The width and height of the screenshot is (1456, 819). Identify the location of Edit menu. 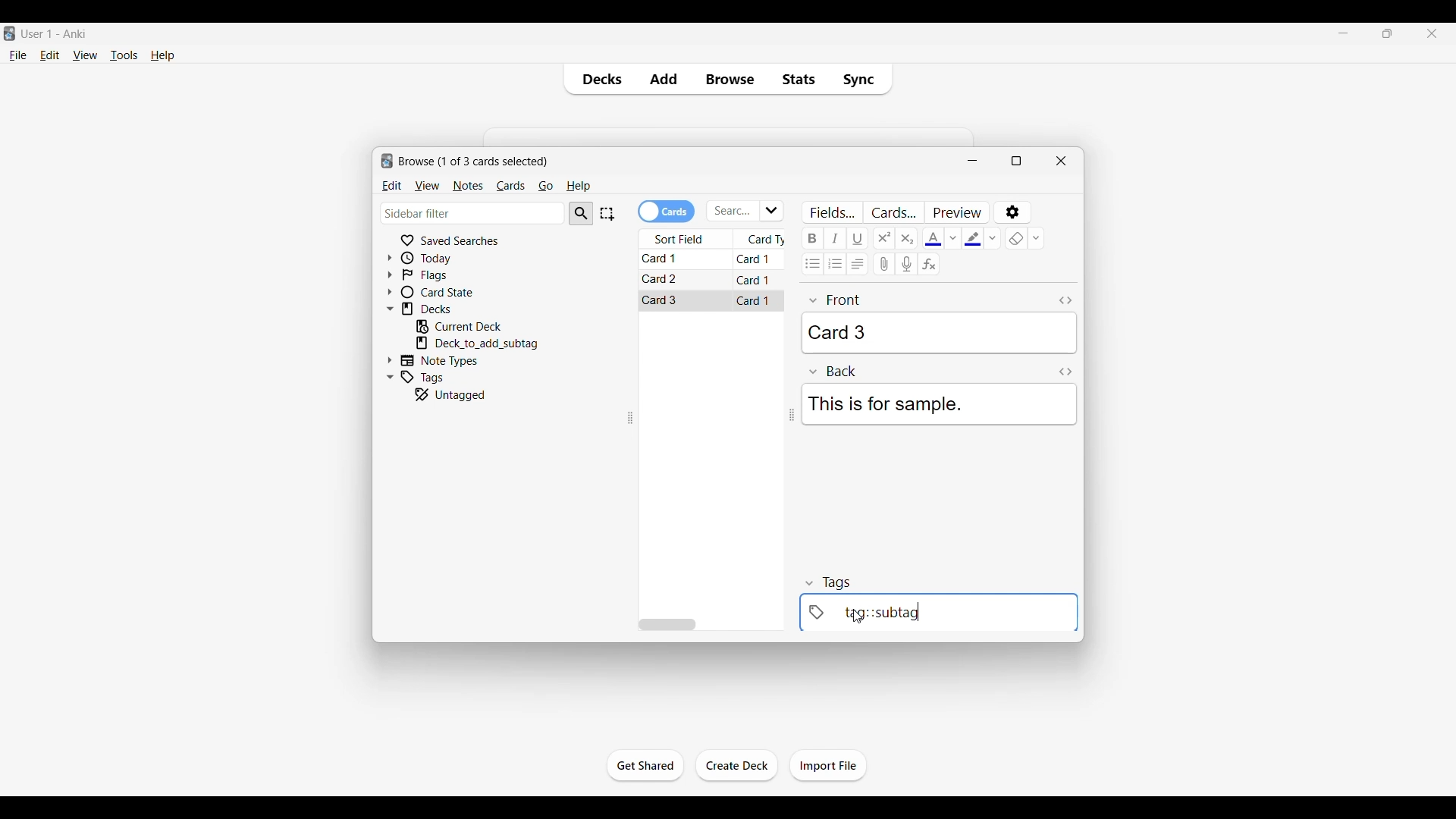
(50, 55).